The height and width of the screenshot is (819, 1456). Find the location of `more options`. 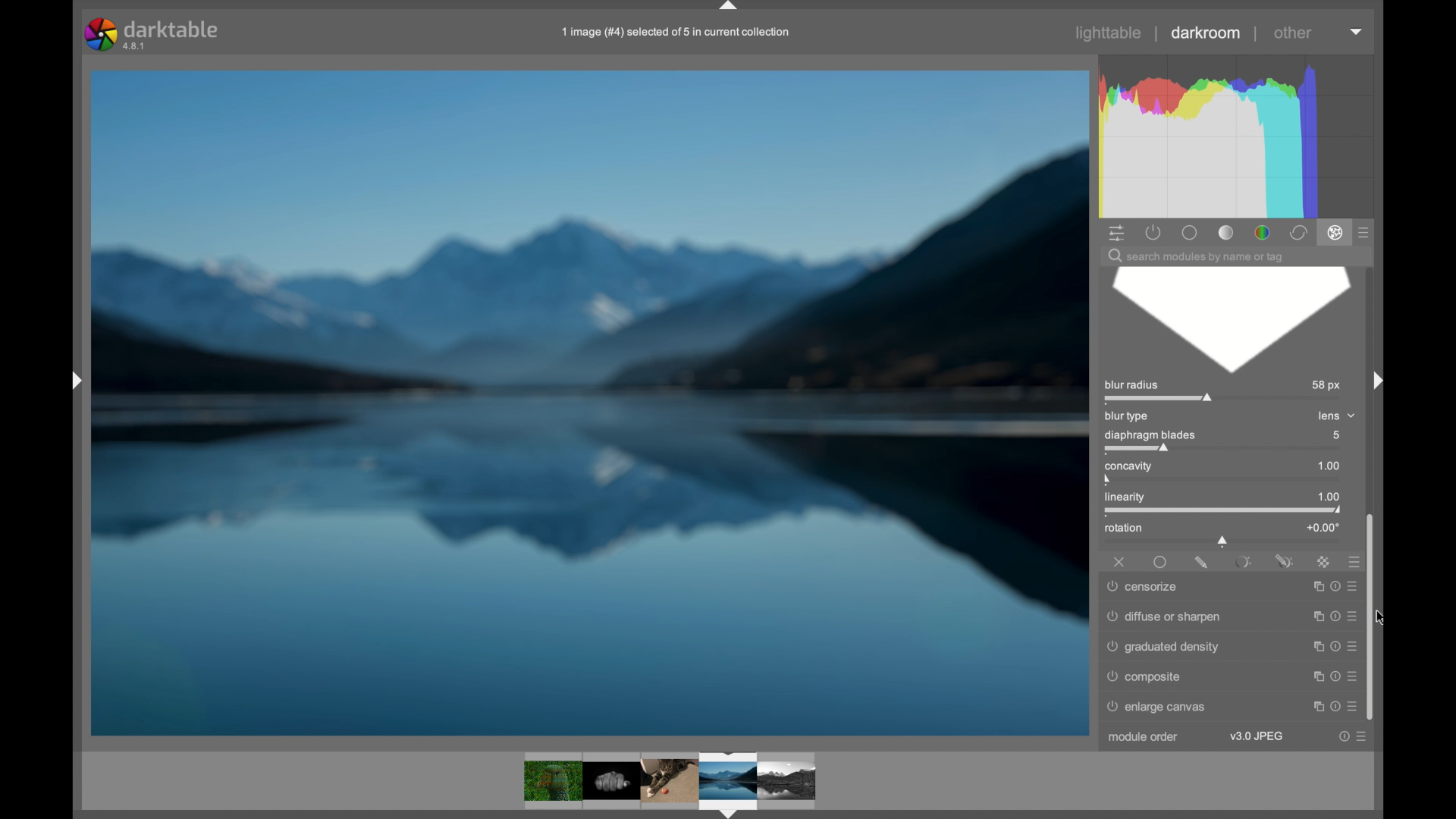

more options is located at coordinates (1363, 736).